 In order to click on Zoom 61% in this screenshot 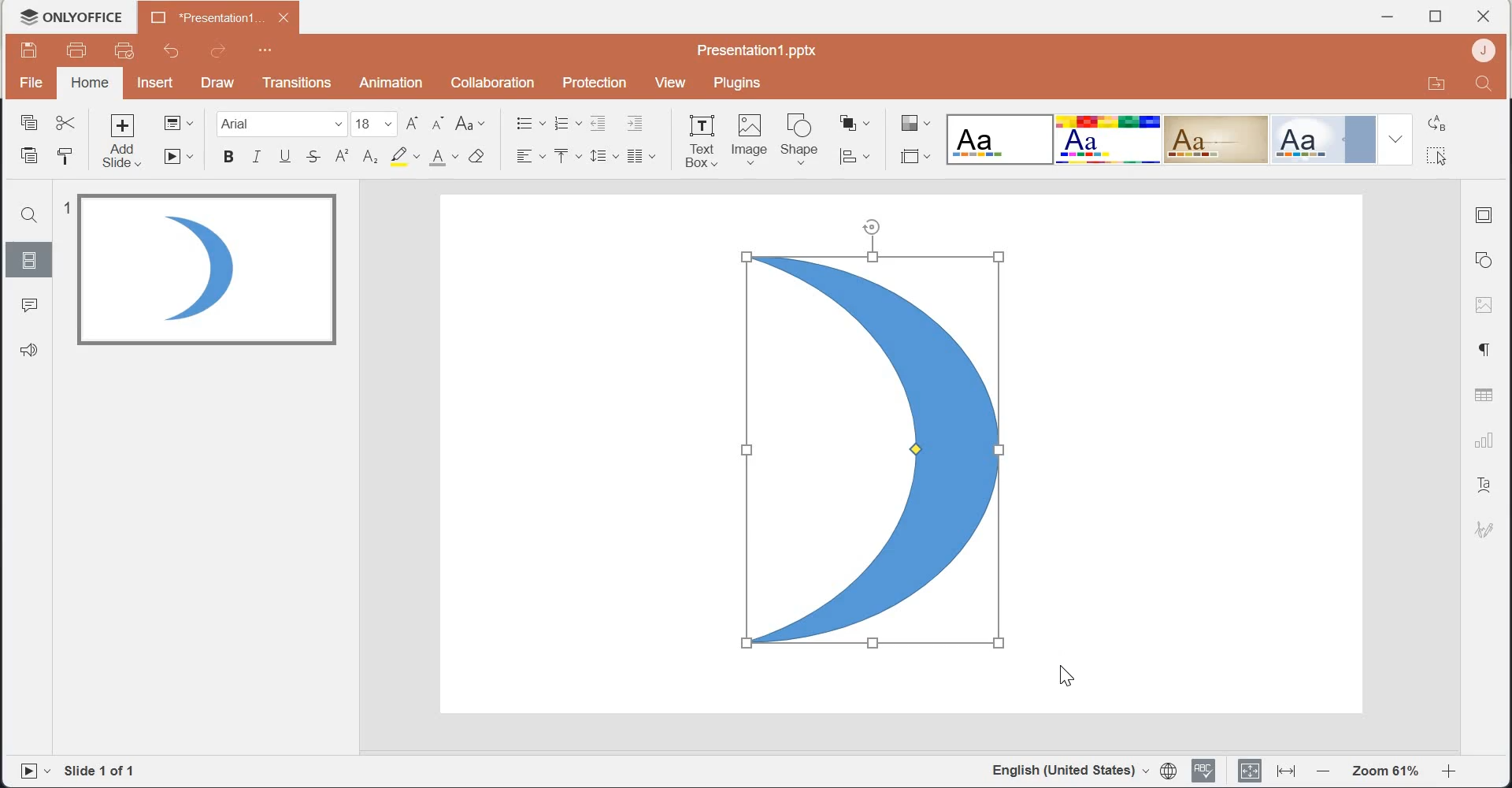, I will do `click(1384, 771)`.